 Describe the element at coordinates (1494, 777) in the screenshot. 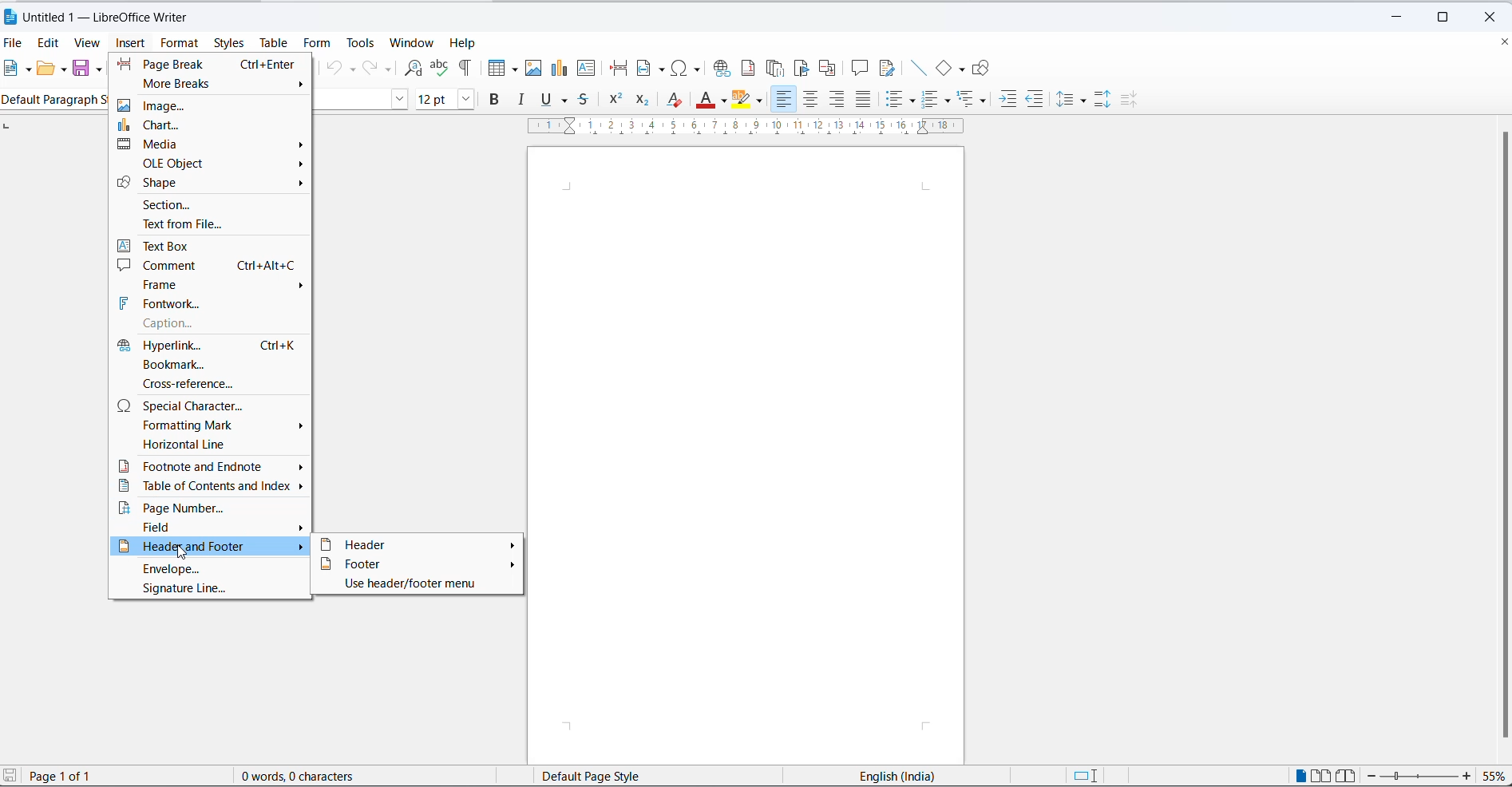

I see `zoom percentage` at that location.